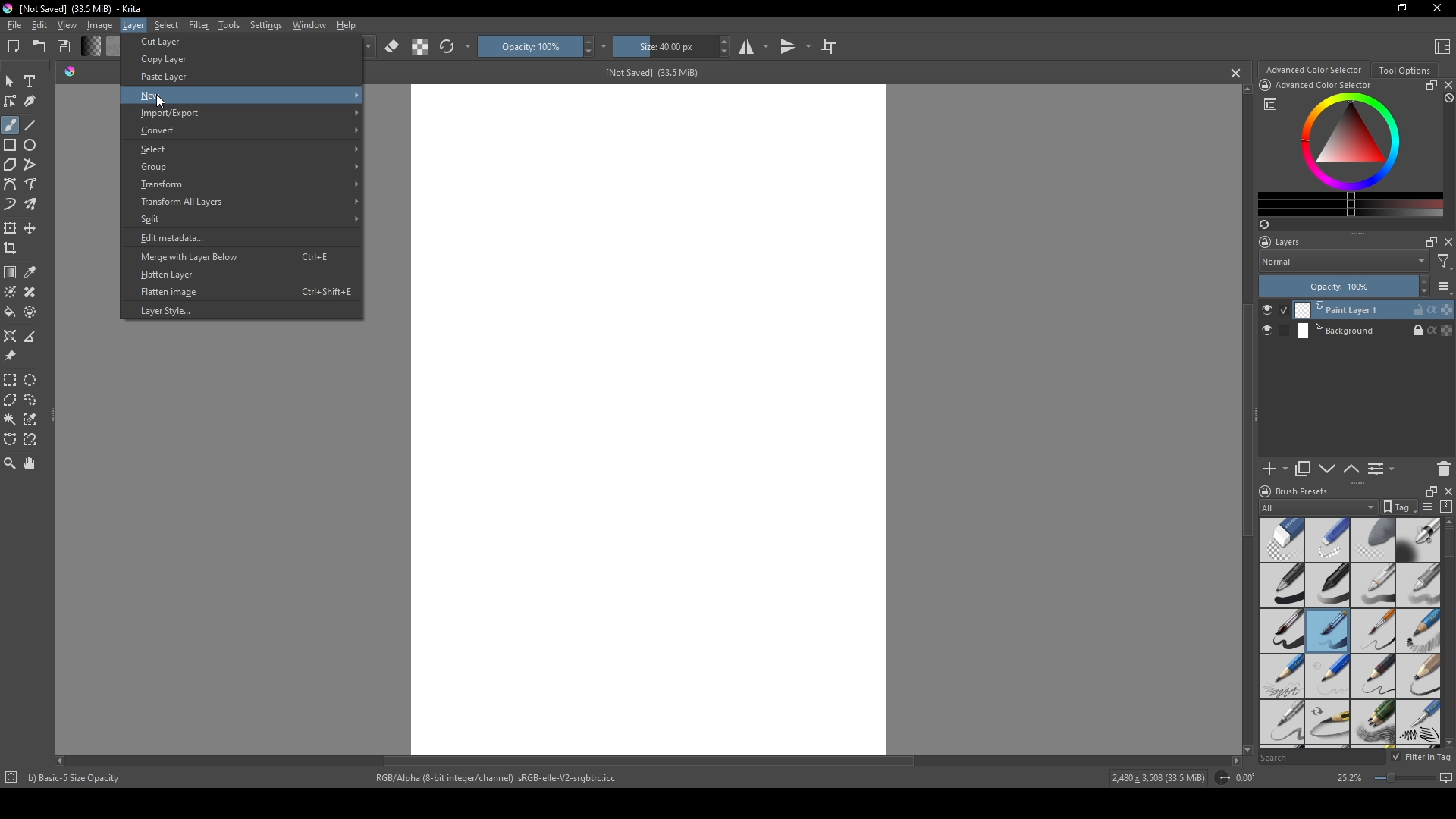  Describe the element at coordinates (1444, 262) in the screenshot. I see `filter` at that location.